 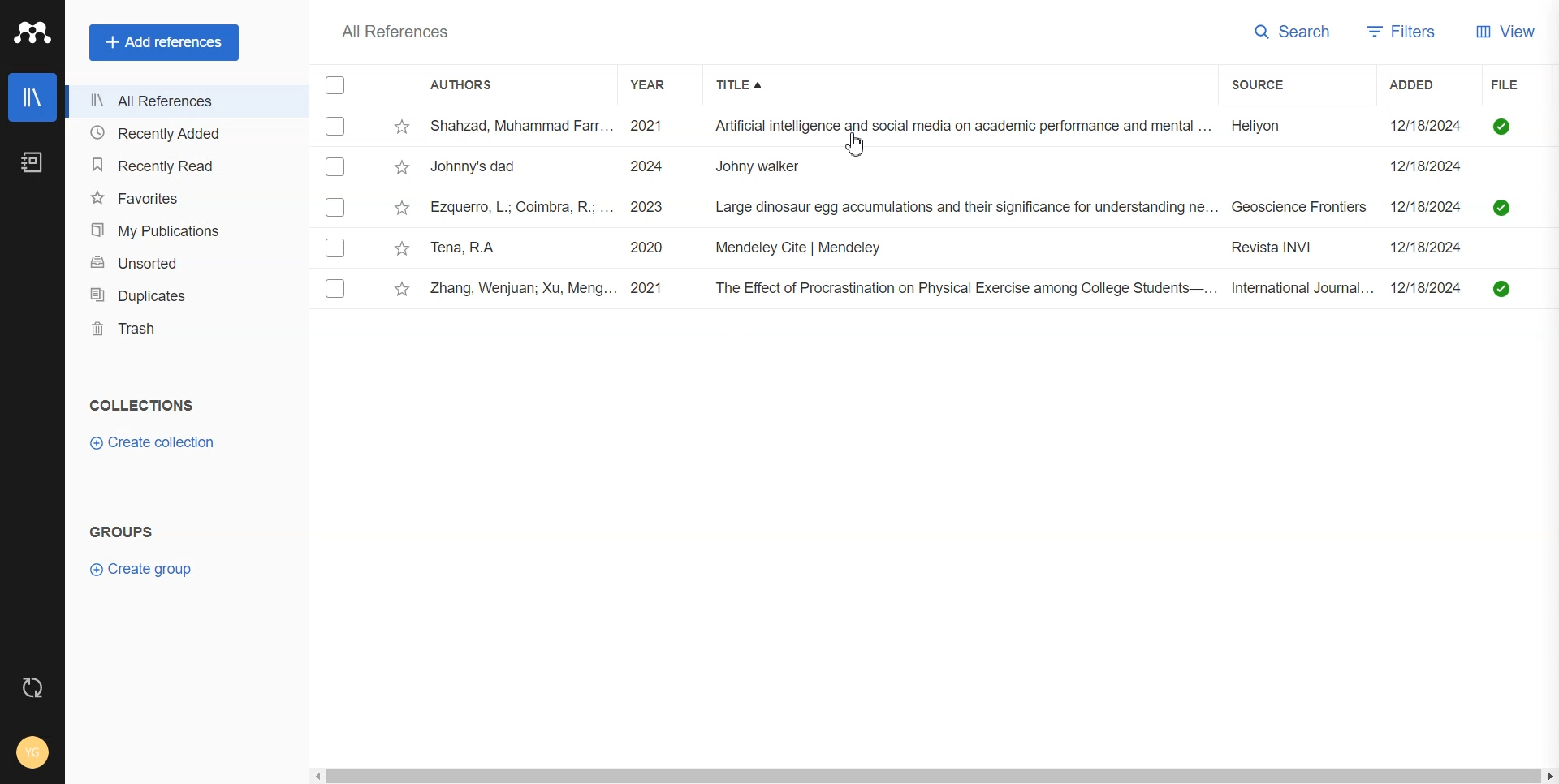 What do you see at coordinates (948, 248) in the screenshot?
I see `Tena, RA 2020 Mendeley Cite | Mendeley Revista INVI 12/18/2024` at bounding box center [948, 248].